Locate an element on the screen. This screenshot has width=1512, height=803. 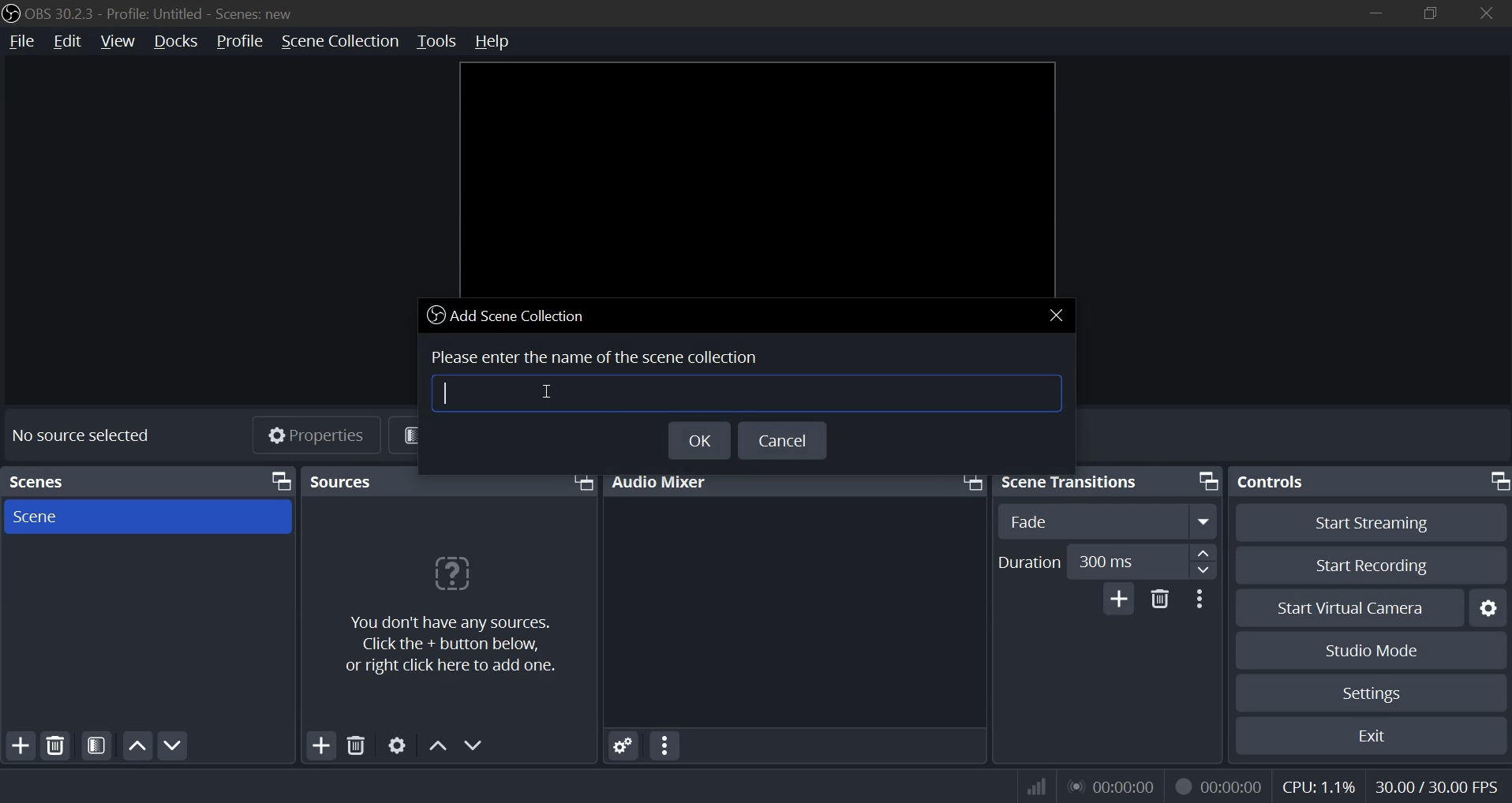
Scenes is located at coordinates (52, 478).